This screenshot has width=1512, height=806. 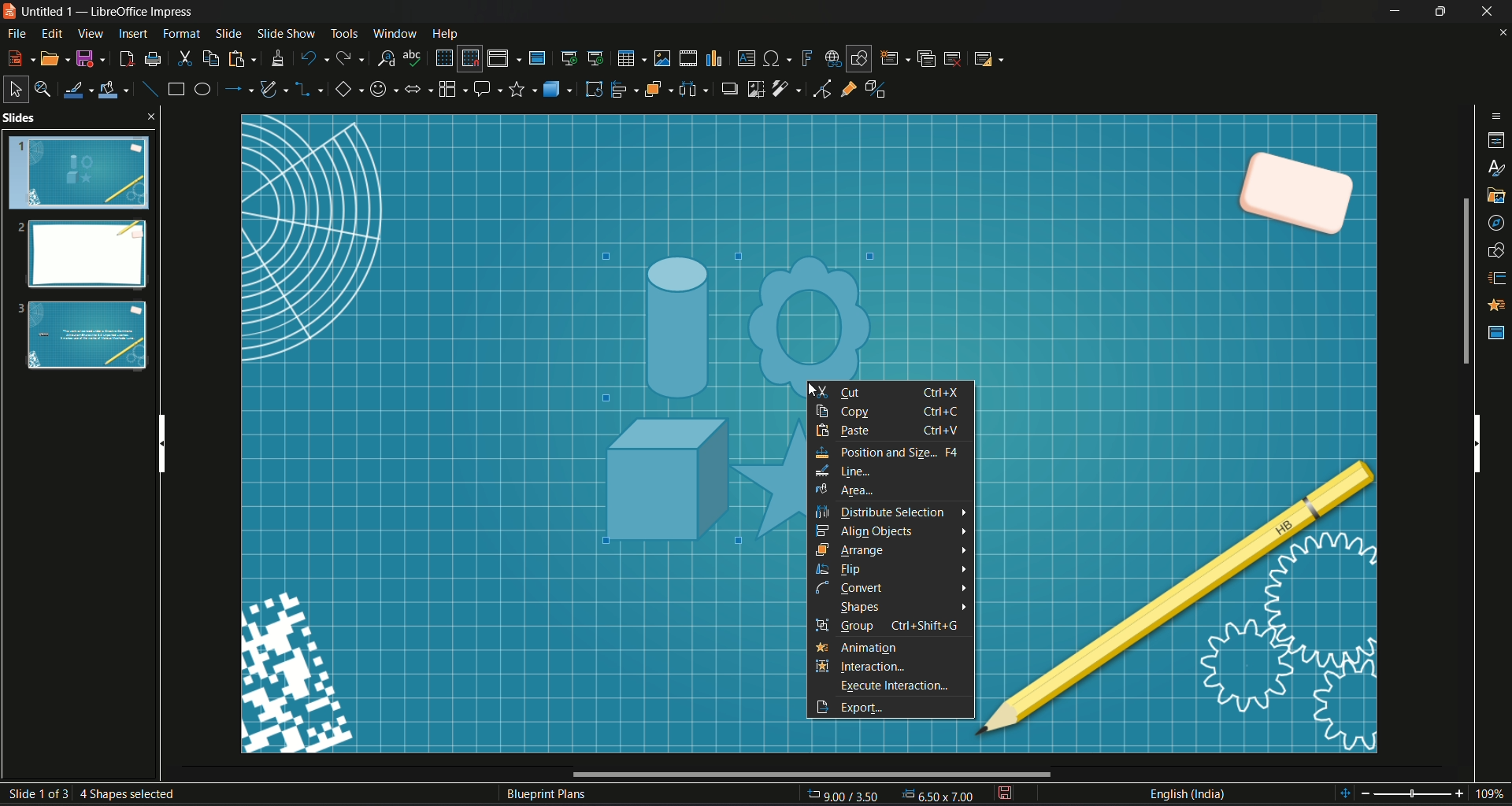 I want to click on zoom & pan, so click(x=42, y=87).